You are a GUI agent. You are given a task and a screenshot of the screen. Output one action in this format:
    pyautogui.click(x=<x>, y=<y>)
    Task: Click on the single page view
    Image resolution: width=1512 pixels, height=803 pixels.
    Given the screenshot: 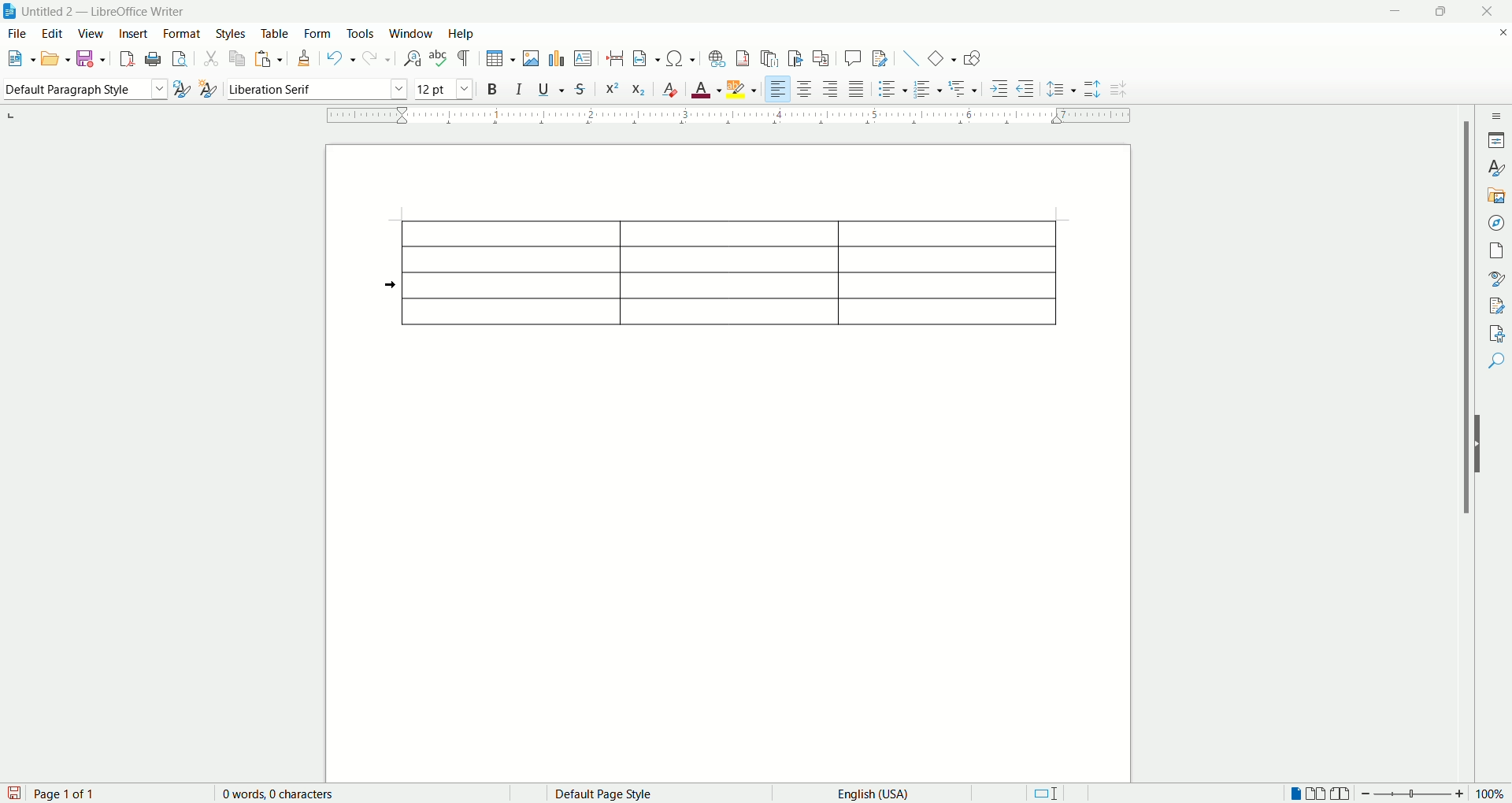 What is the action you would take?
    pyautogui.click(x=1294, y=791)
    